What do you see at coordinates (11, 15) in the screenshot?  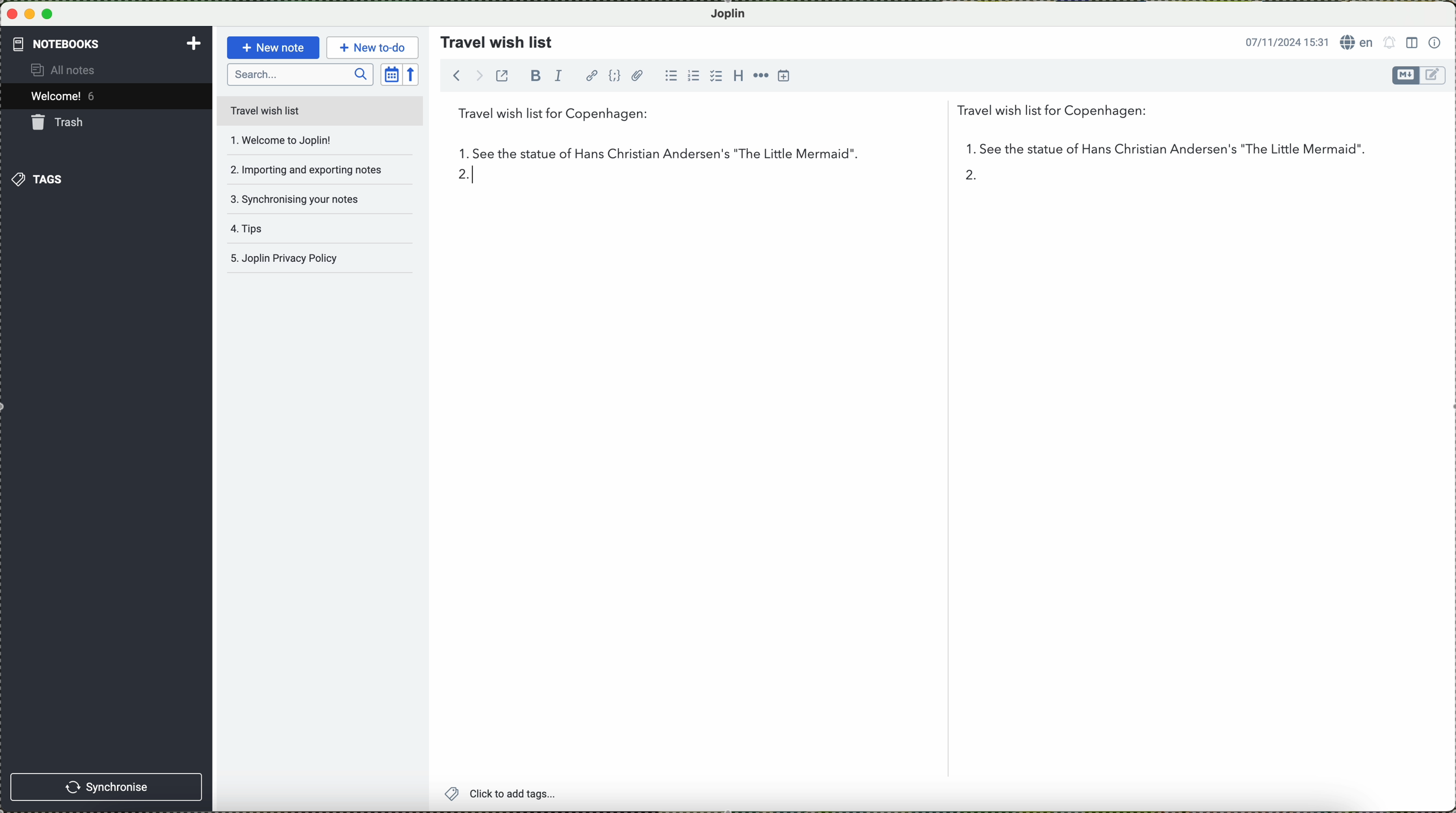 I see `close` at bounding box center [11, 15].